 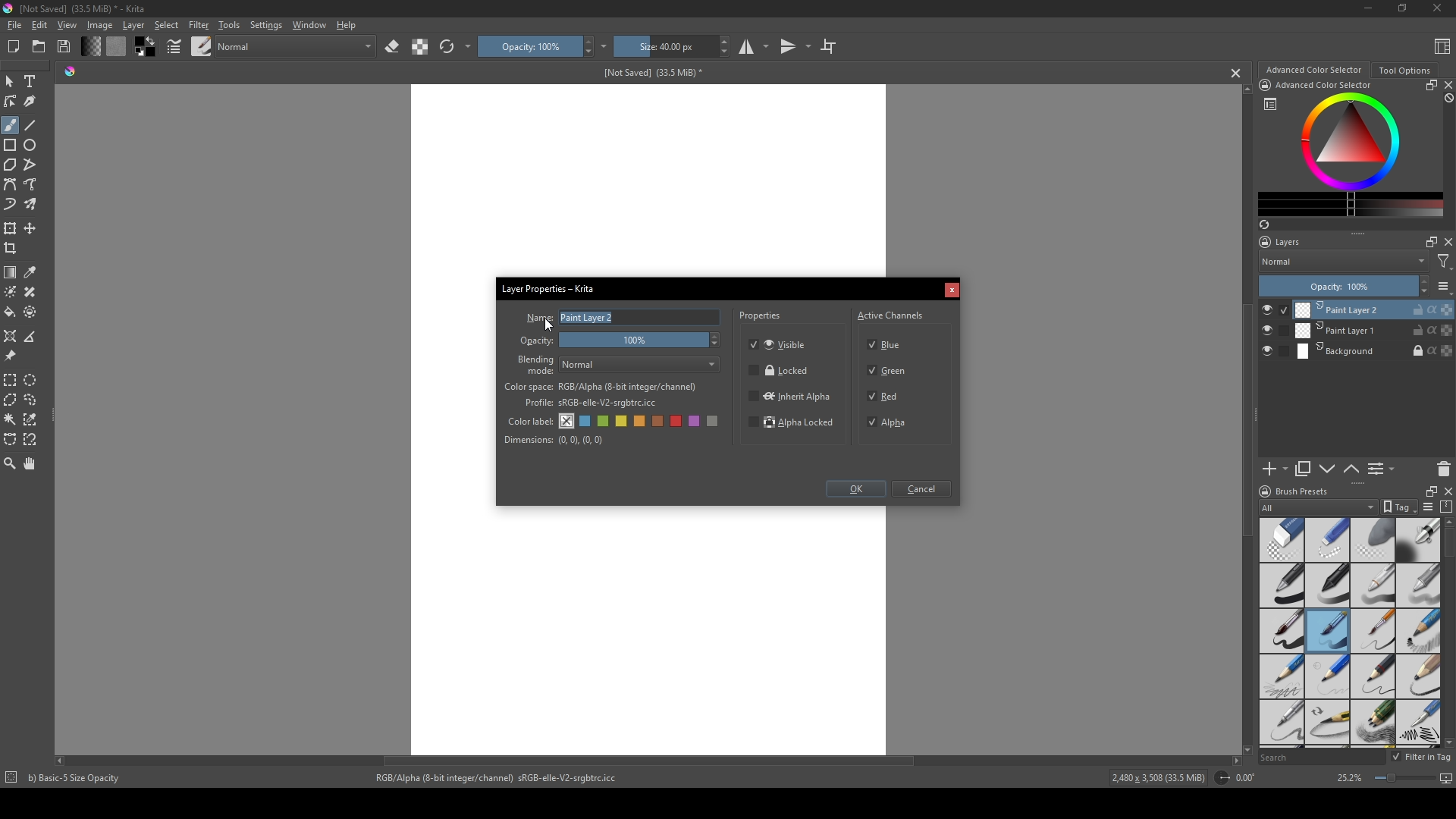 I want to click on scroll down, so click(x=1244, y=748).